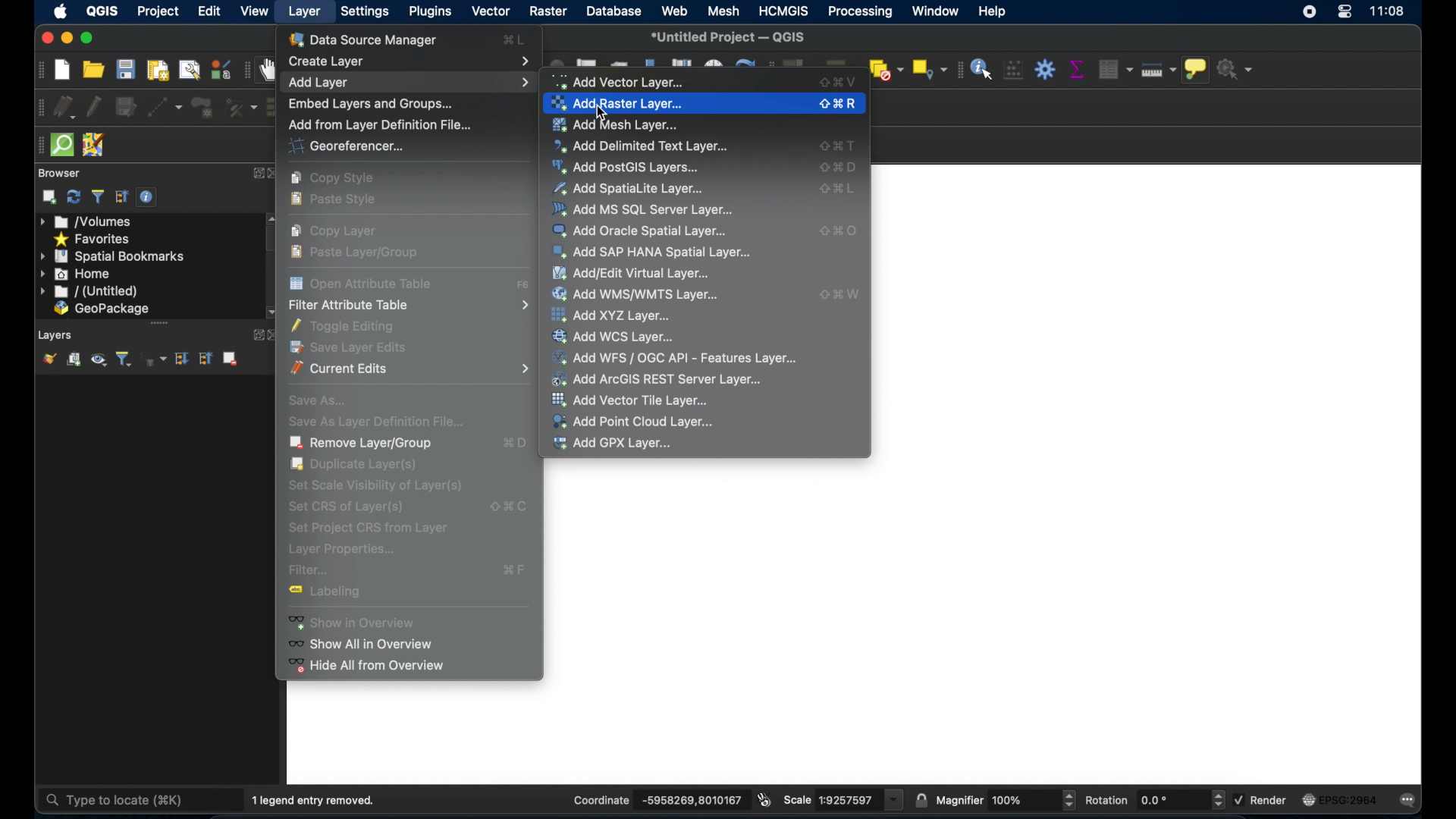 This screenshot has width=1456, height=819. Describe the element at coordinates (93, 144) in the screenshot. I see `josh remote` at that location.